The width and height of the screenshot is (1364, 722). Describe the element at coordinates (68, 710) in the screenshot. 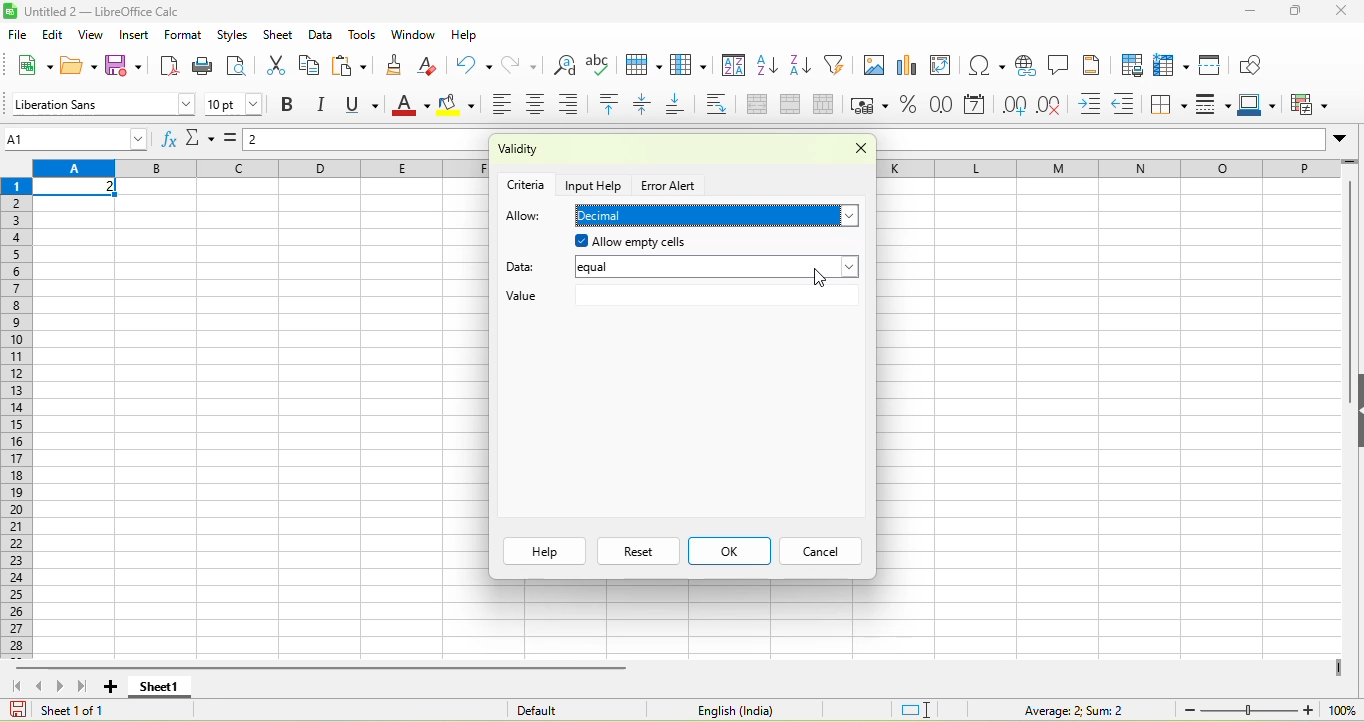

I see `sheet 1 0f 1` at that location.